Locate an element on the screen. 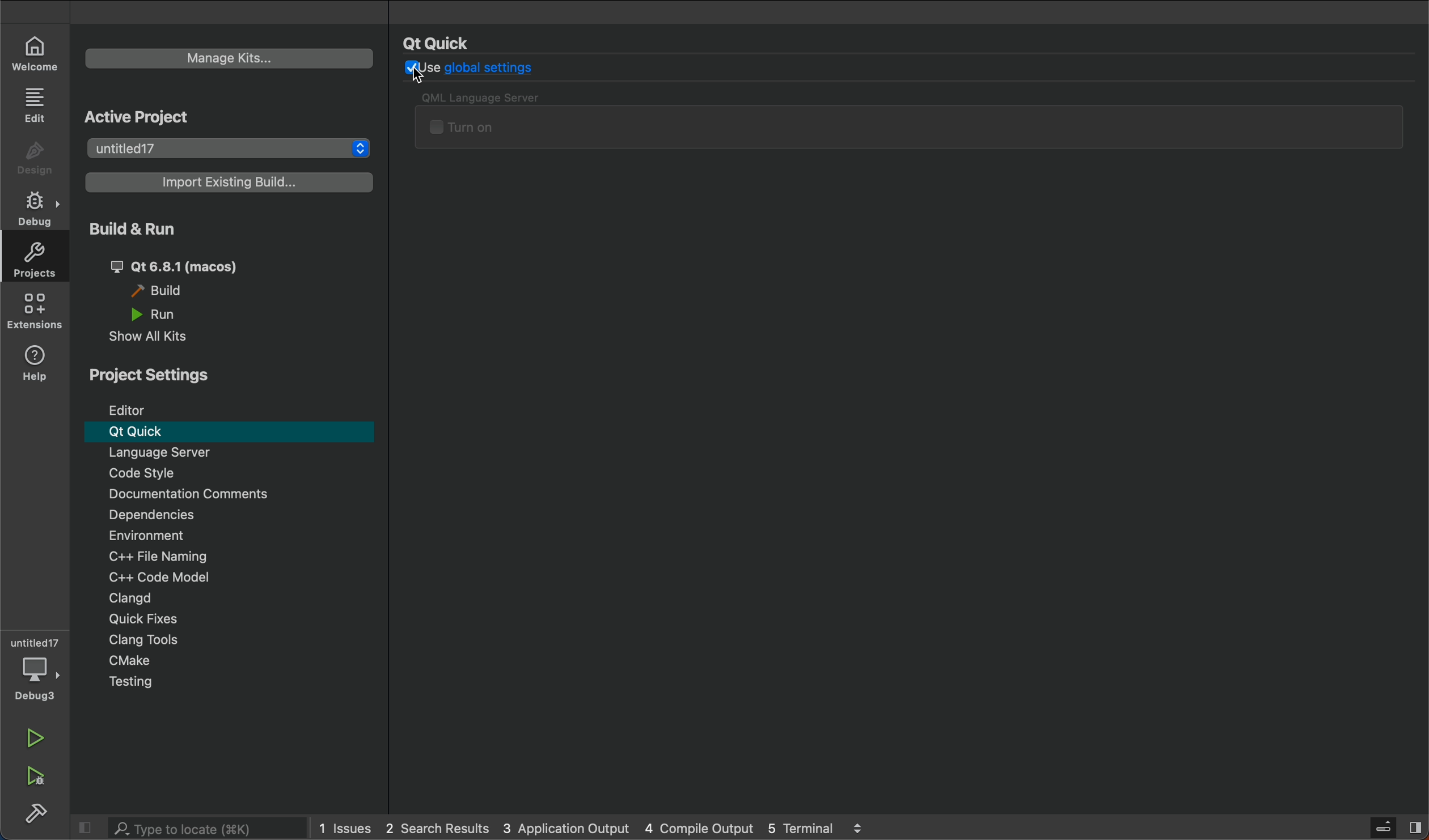 Image resolution: width=1429 pixels, height=840 pixels. build is located at coordinates (39, 813).